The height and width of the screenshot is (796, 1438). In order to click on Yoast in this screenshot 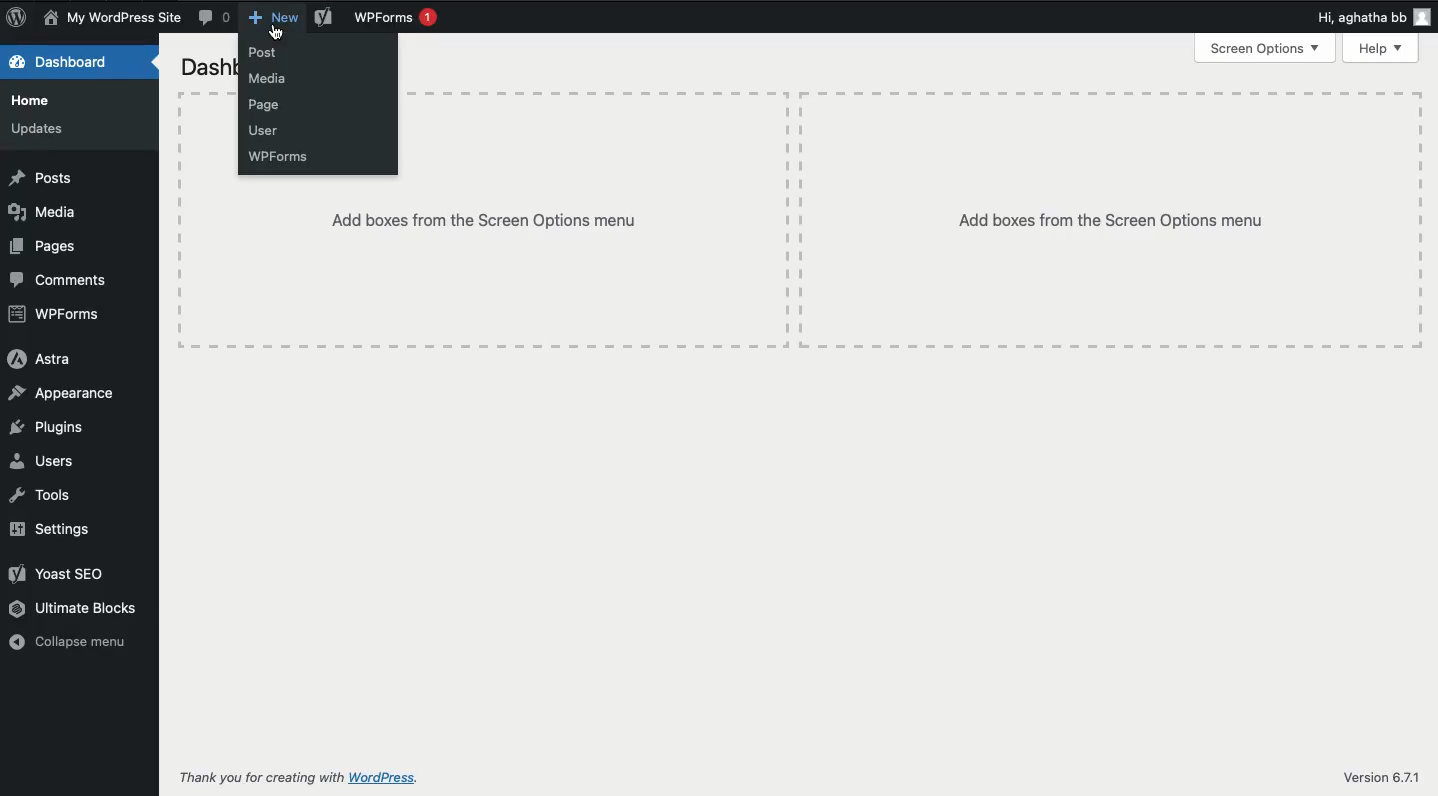, I will do `click(326, 18)`.